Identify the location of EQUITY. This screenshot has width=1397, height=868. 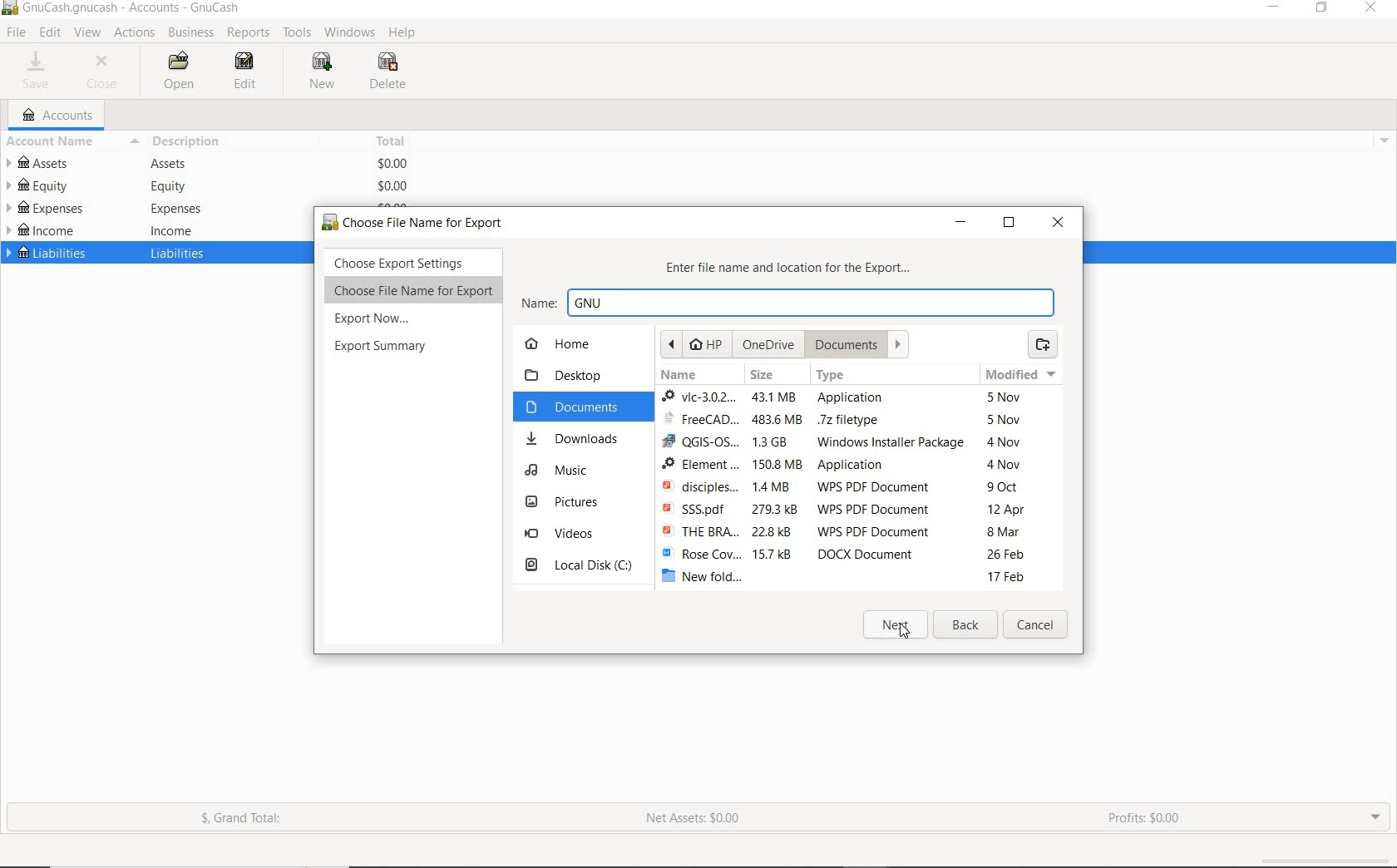
(43, 185).